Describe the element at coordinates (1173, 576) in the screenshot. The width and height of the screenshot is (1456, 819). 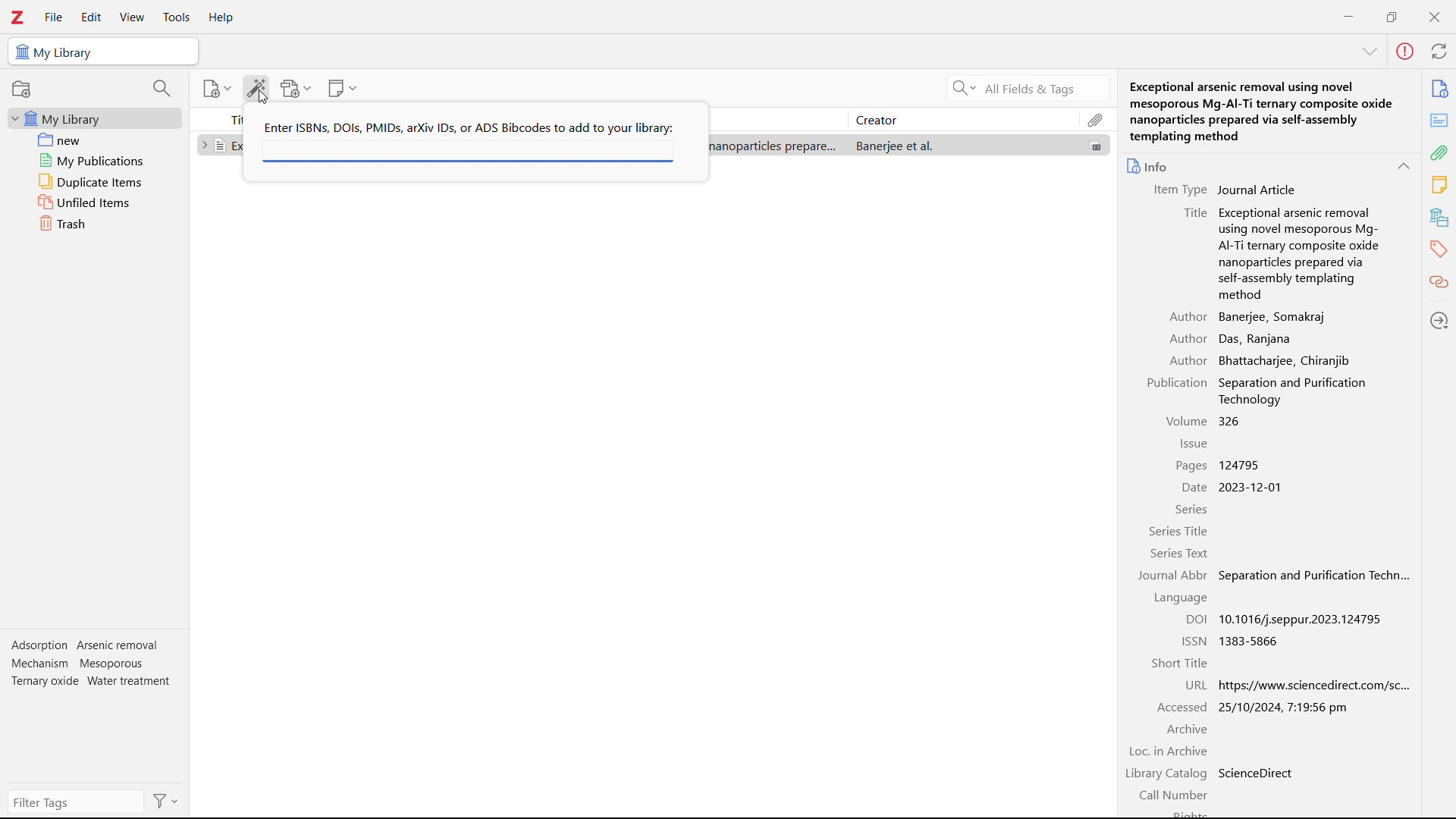
I see `Journal abbreviation` at that location.